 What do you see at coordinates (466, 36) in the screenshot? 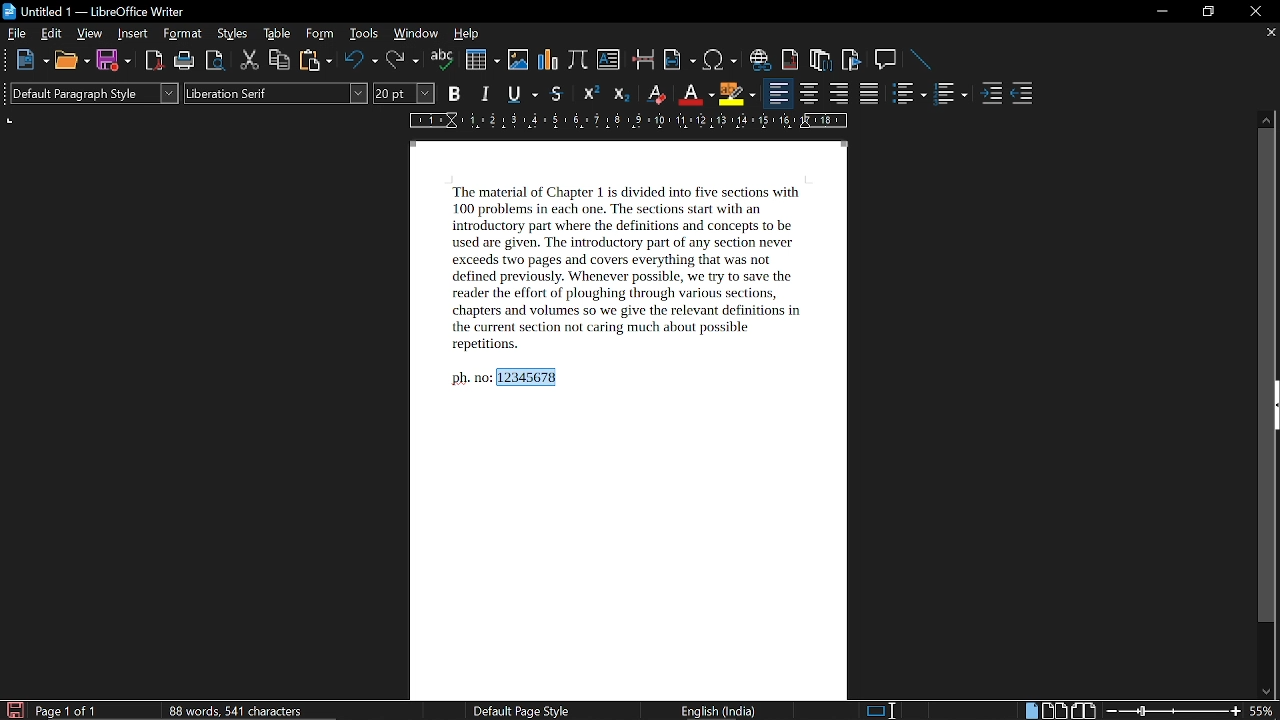
I see `help` at bounding box center [466, 36].